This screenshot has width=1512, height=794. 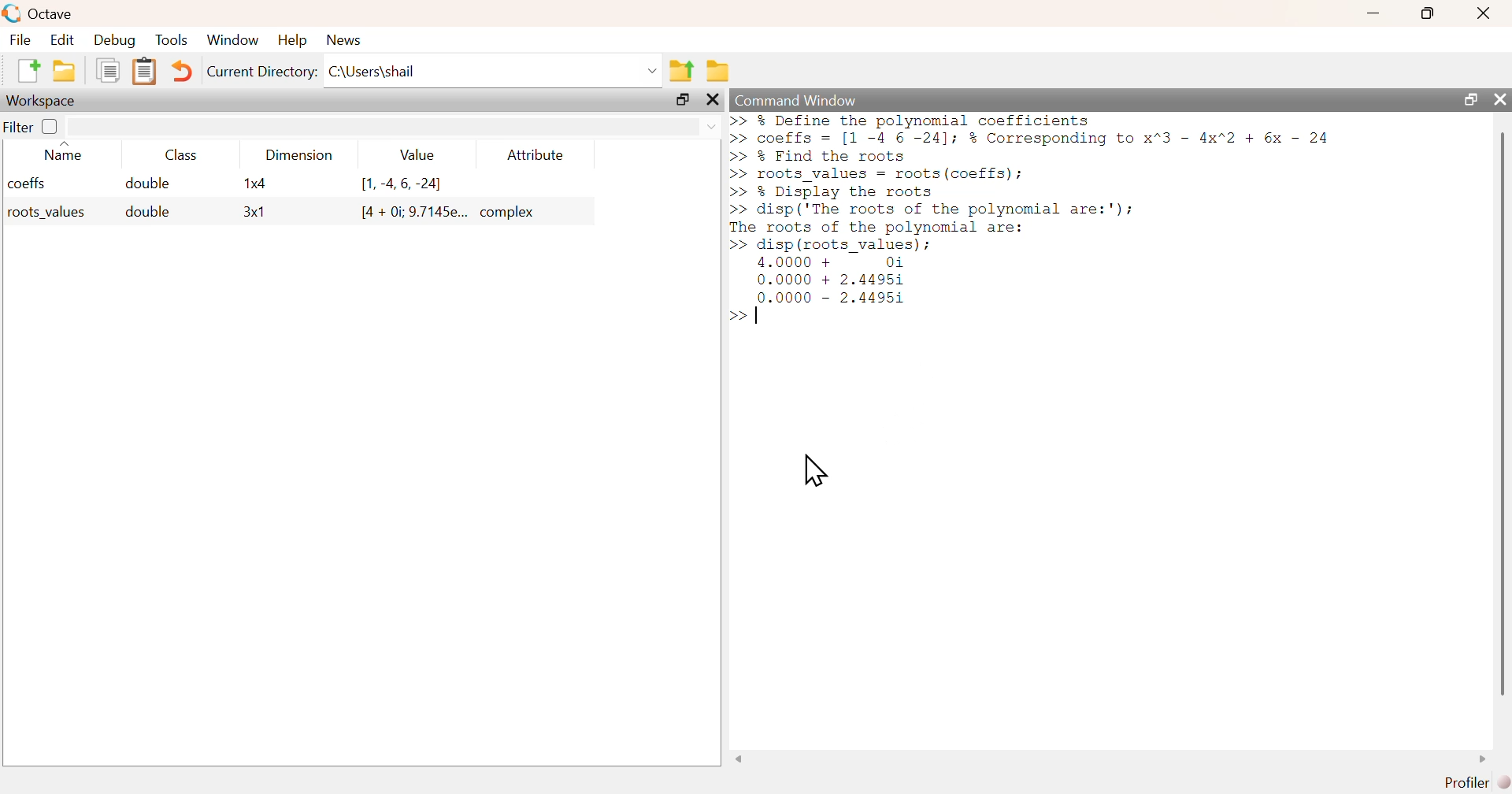 What do you see at coordinates (43, 100) in the screenshot?
I see `Workspace` at bounding box center [43, 100].